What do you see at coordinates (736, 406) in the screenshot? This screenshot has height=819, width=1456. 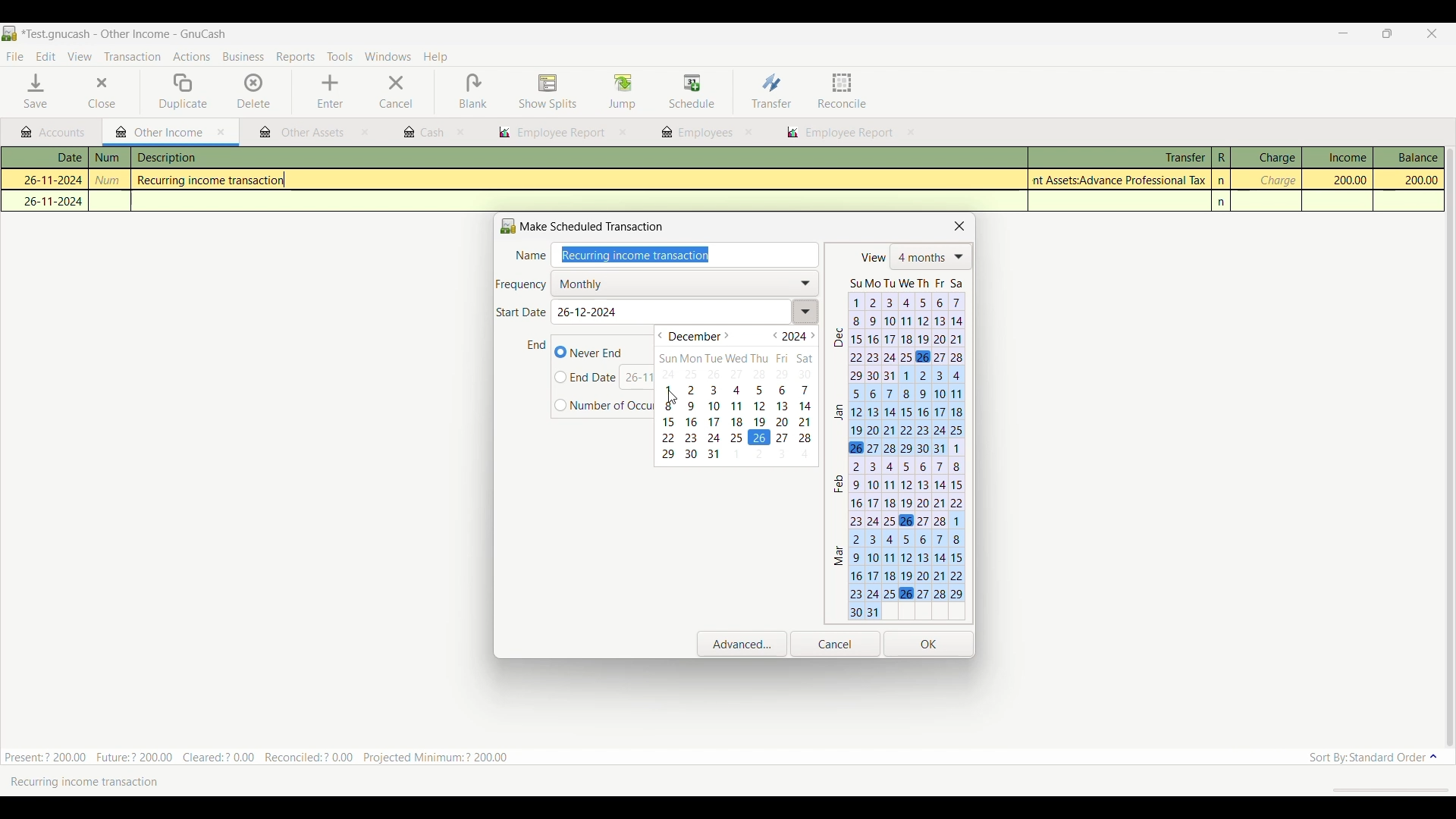 I see `Calendar of above mentioned month` at bounding box center [736, 406].